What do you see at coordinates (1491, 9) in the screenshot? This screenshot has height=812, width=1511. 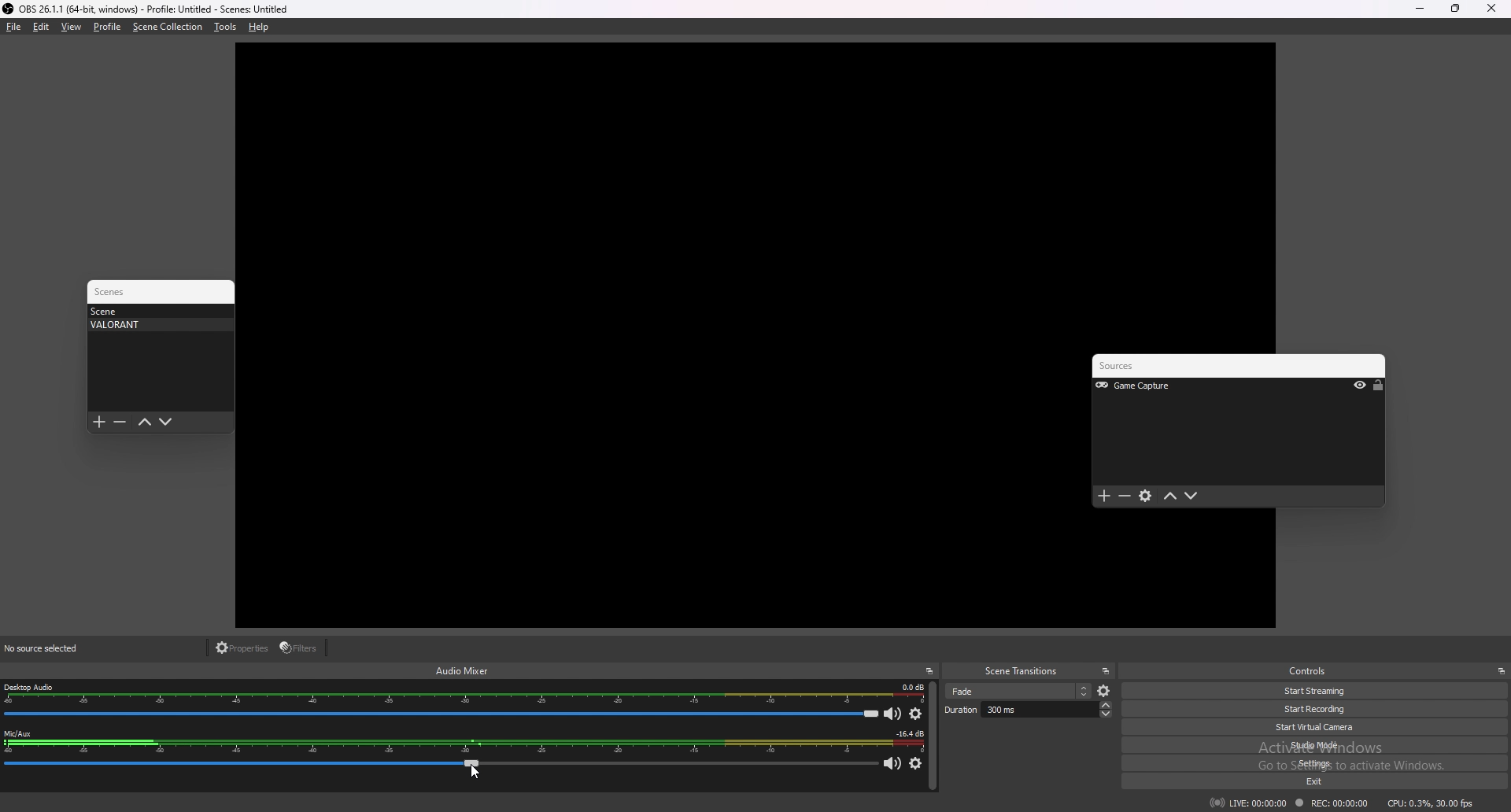 I see `close` at bounding box center [1491, 9].